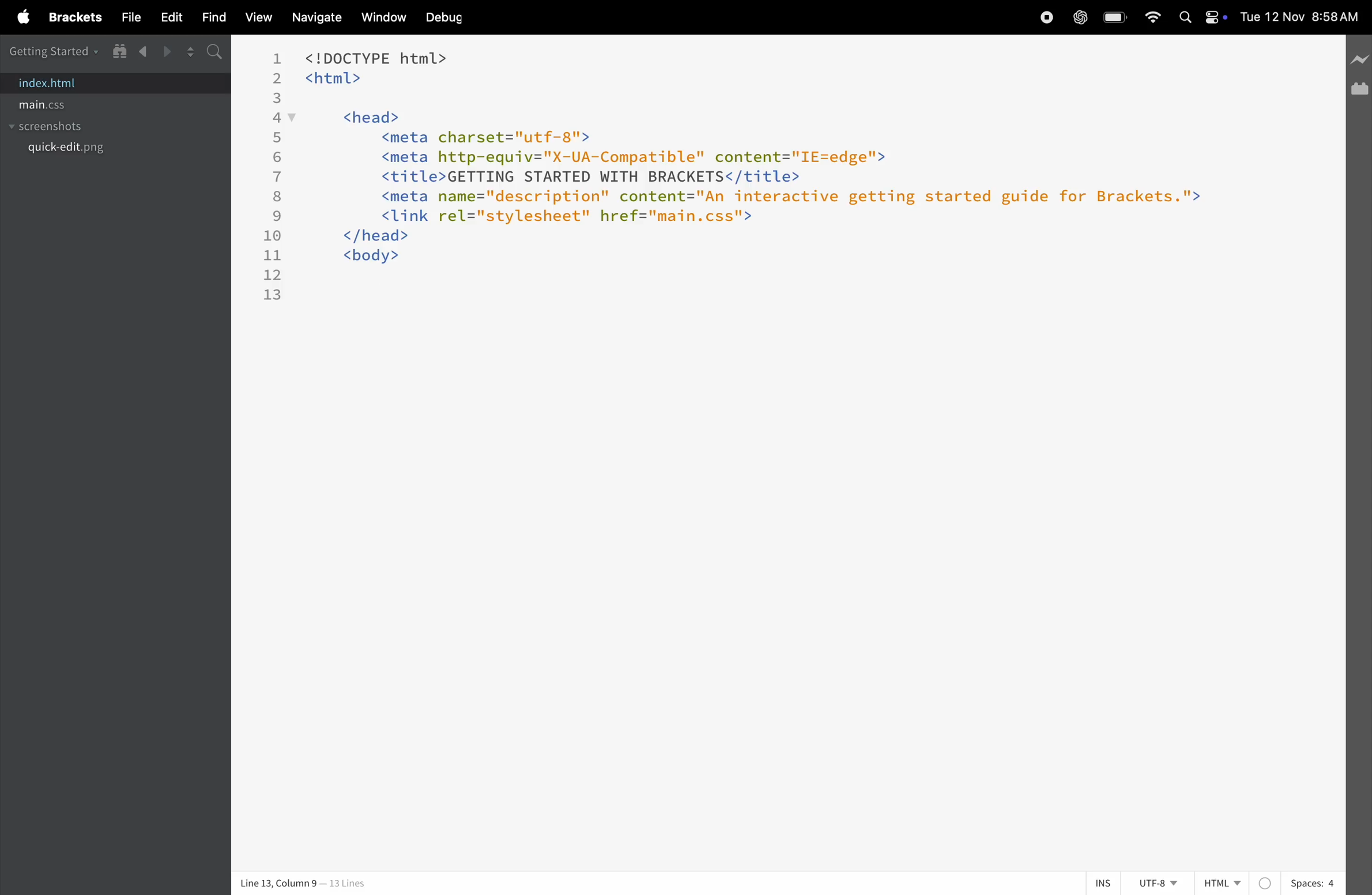 The height and width of the screenshot is (895, 1372). Describe the element at coordinates (190, 52) in the screenshot. I see `split editor` at that location.